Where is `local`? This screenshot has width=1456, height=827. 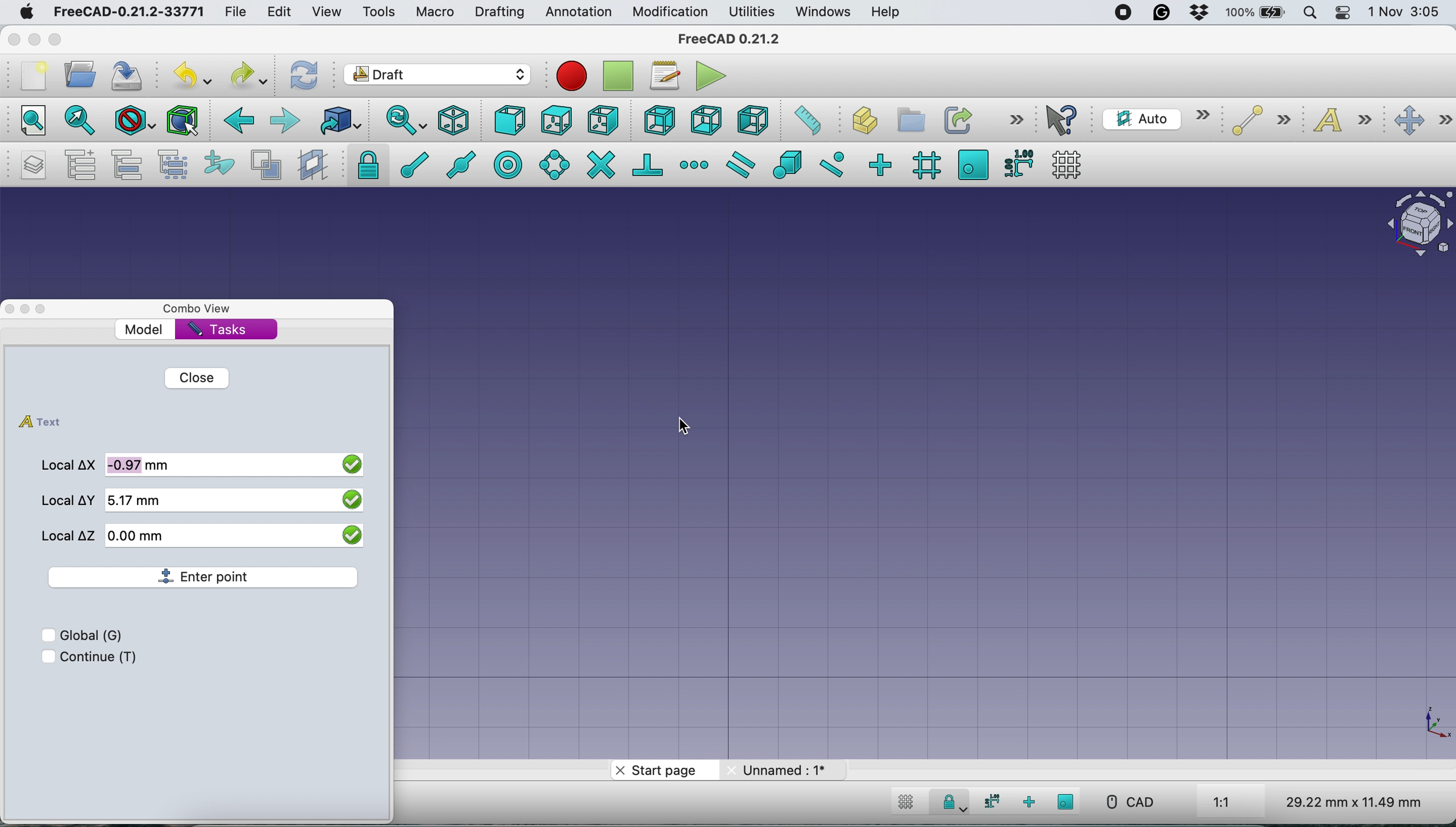 local is located at coordinates (65, 536).